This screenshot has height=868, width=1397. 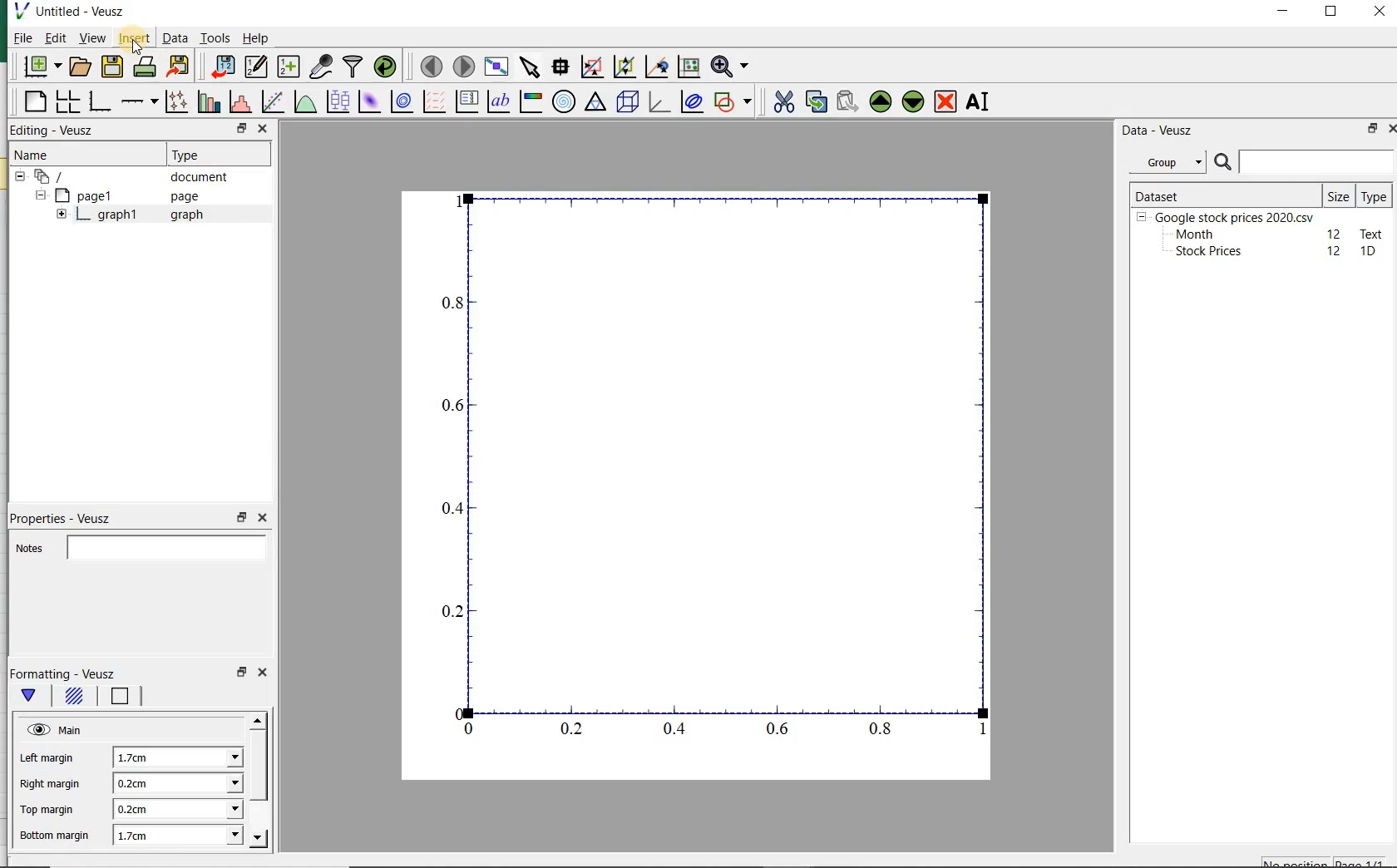 What do you see at coordinates (207, 153) in the screenshot?
I see `Type` at bounding box center [207, 153].